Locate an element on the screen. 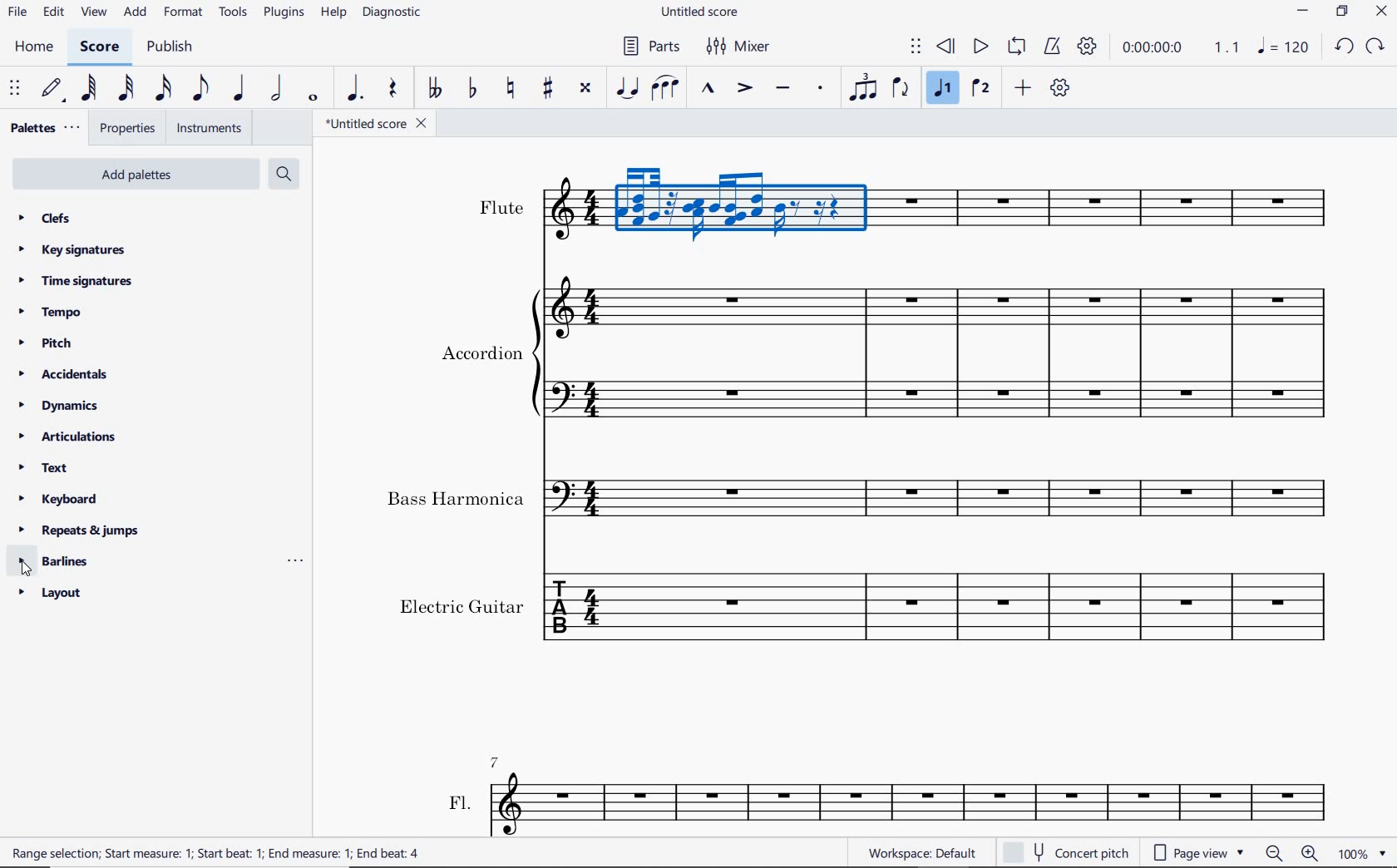  32nd note is located at coordinates (126, 89).